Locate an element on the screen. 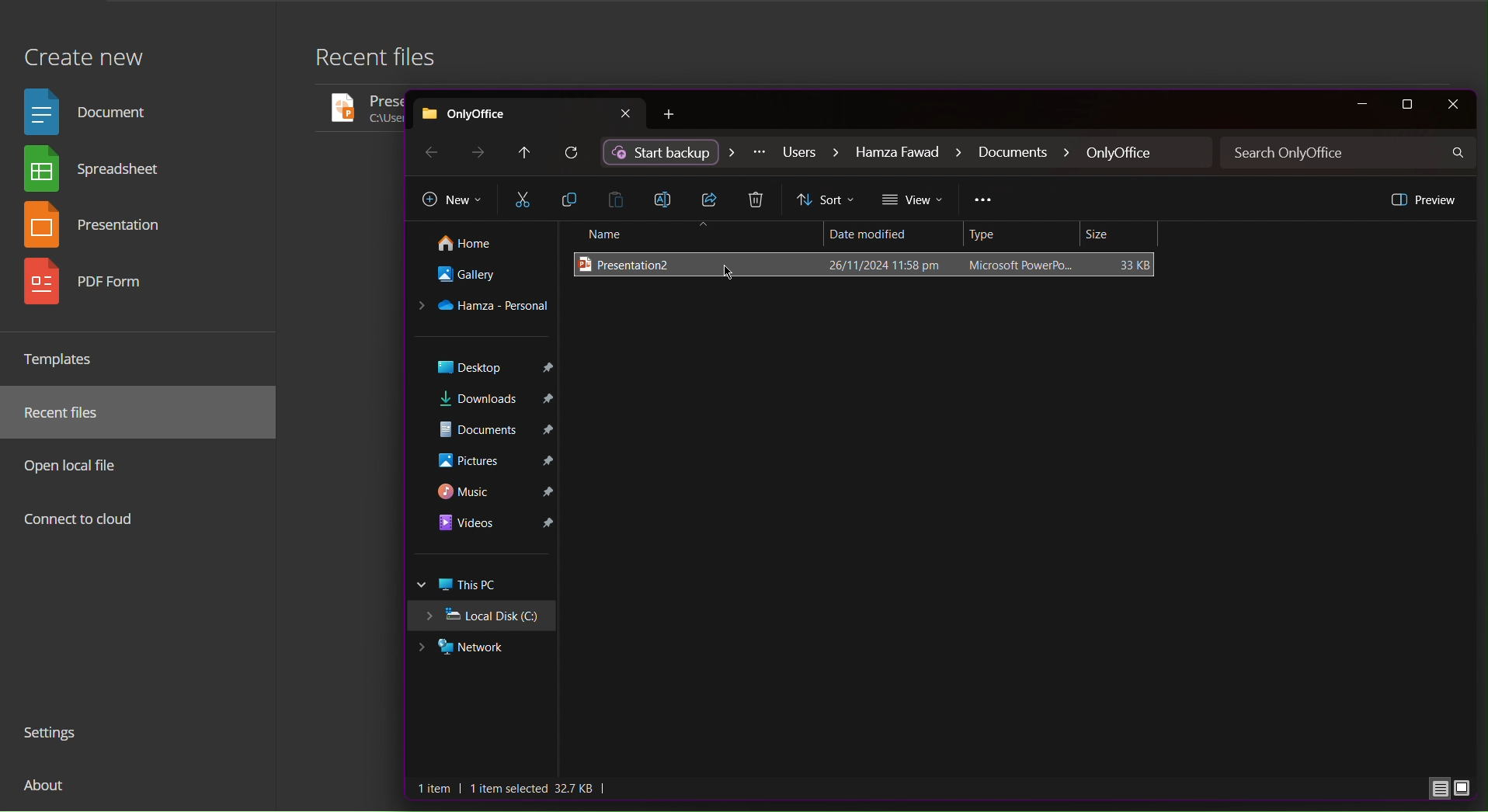  Gallery is located at coordinates (480, 279).